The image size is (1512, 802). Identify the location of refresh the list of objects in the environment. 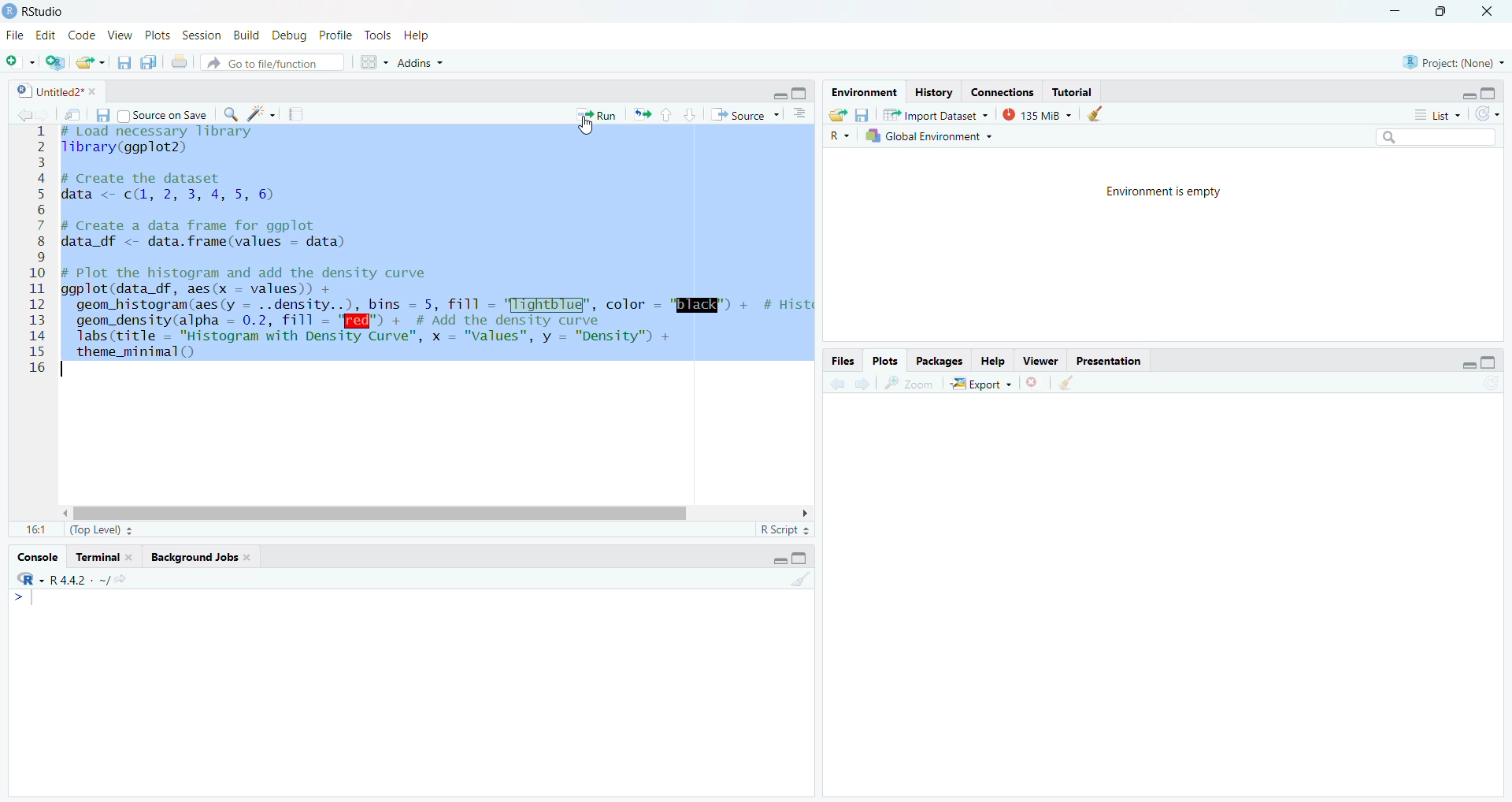
(1489, 114).